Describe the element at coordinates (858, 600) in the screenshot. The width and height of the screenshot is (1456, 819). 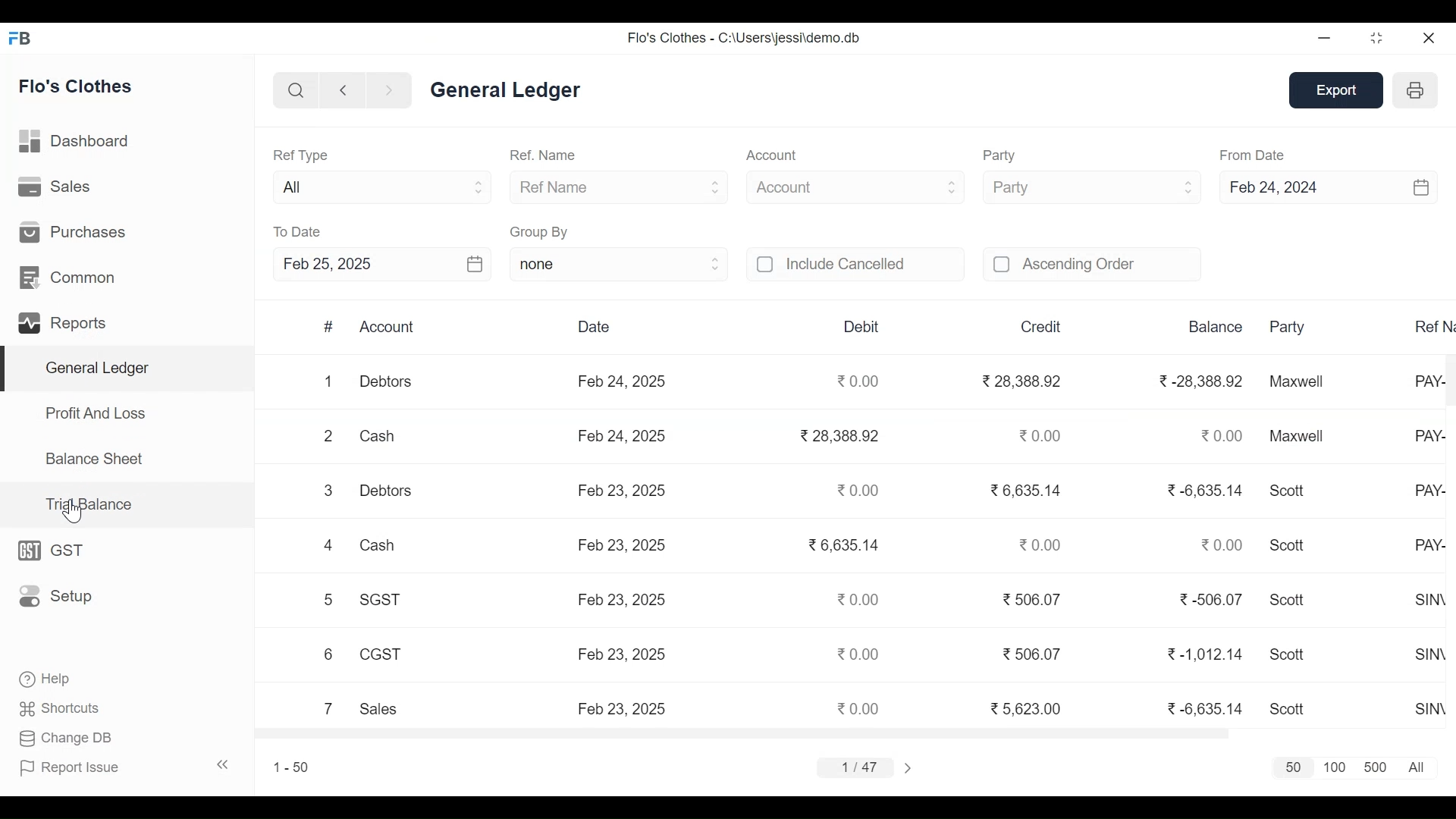
I see `0.00` at that location.